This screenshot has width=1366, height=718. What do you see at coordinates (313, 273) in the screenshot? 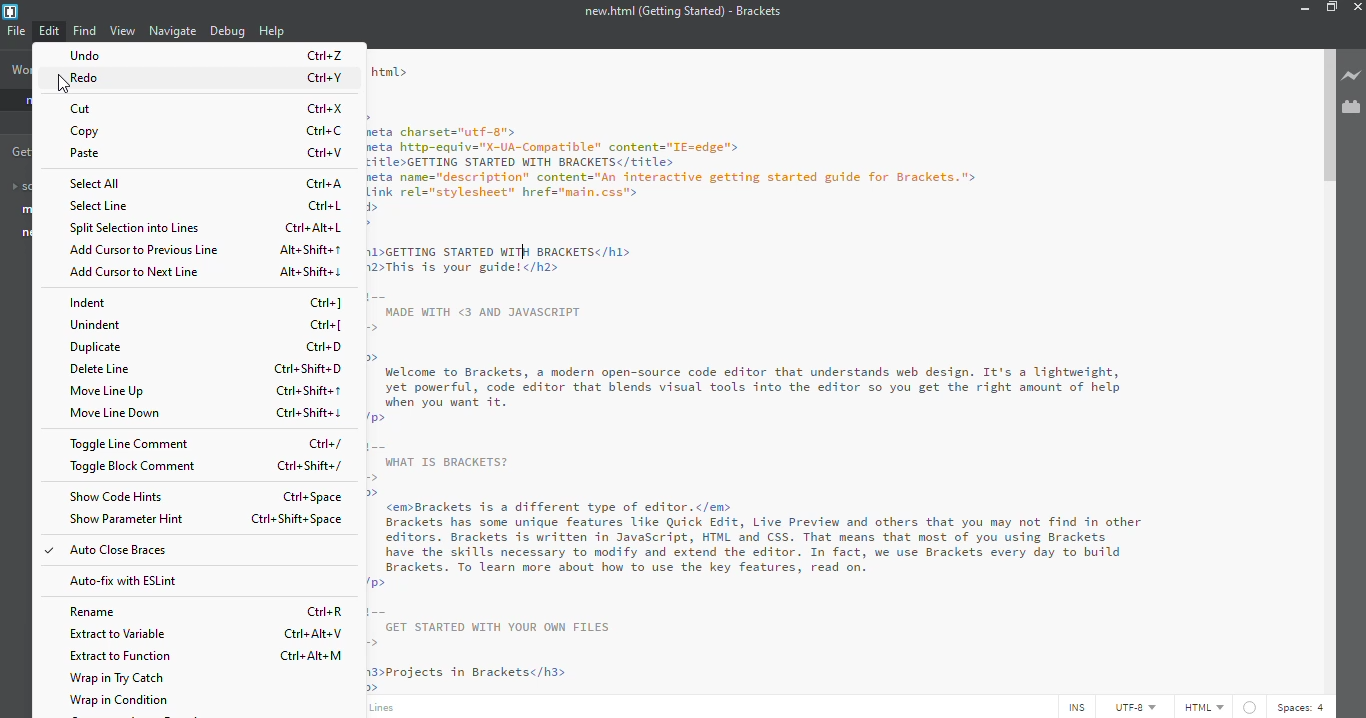
I see `alt+shift+ down arrow` at bounding box center [313, 273].